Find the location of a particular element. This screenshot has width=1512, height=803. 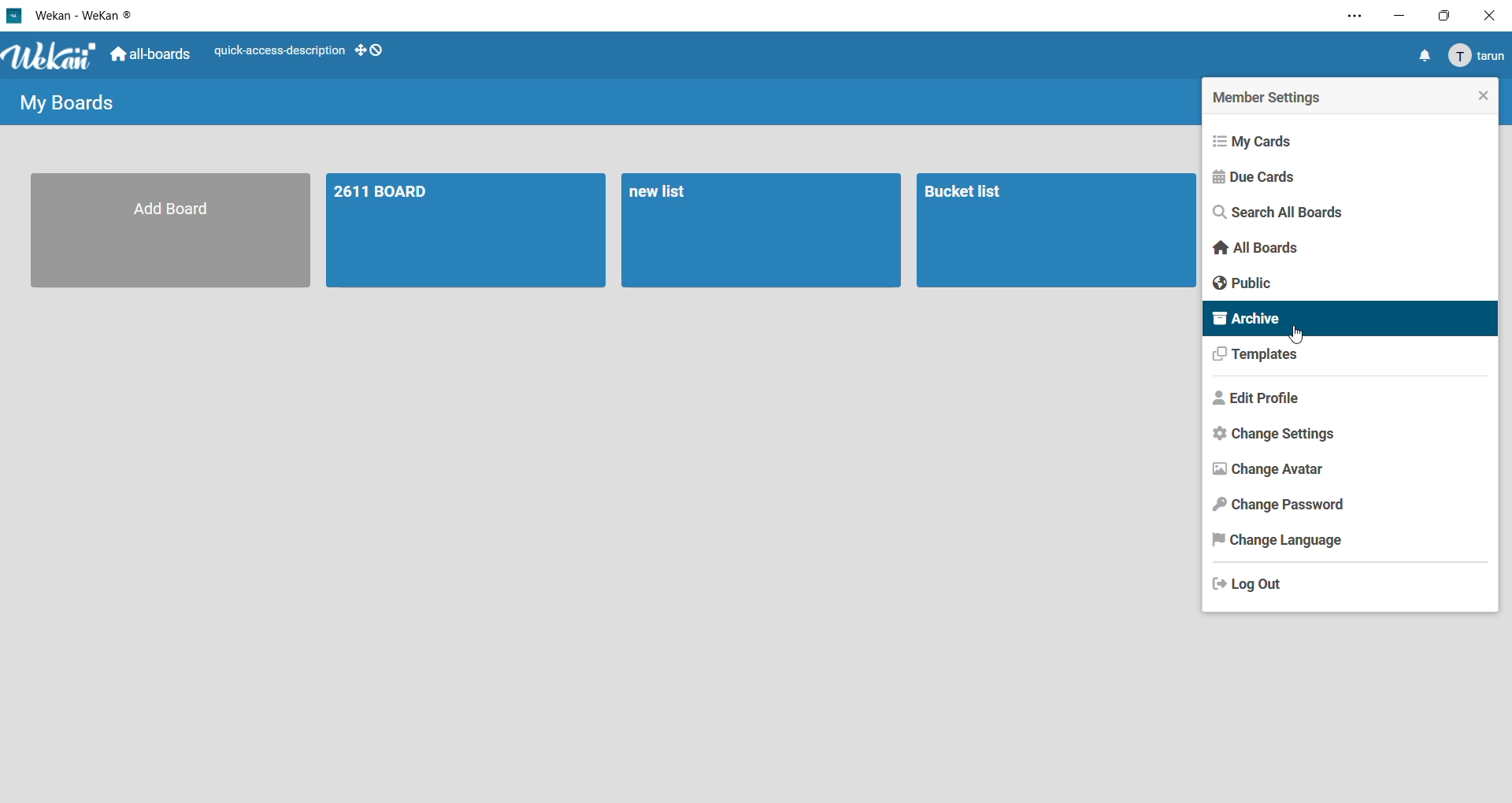

quick access description is located at coordinates (278, 53).